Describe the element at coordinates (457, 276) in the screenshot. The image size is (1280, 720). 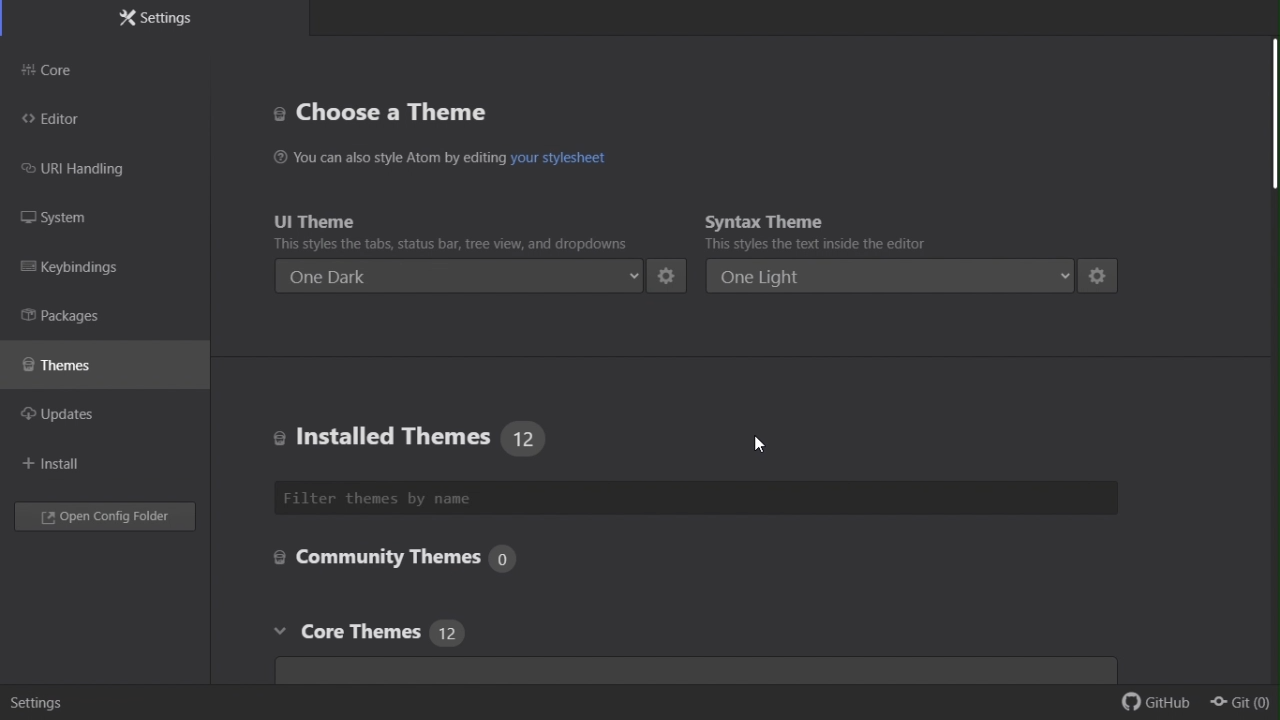
I see `One dark` at that location.